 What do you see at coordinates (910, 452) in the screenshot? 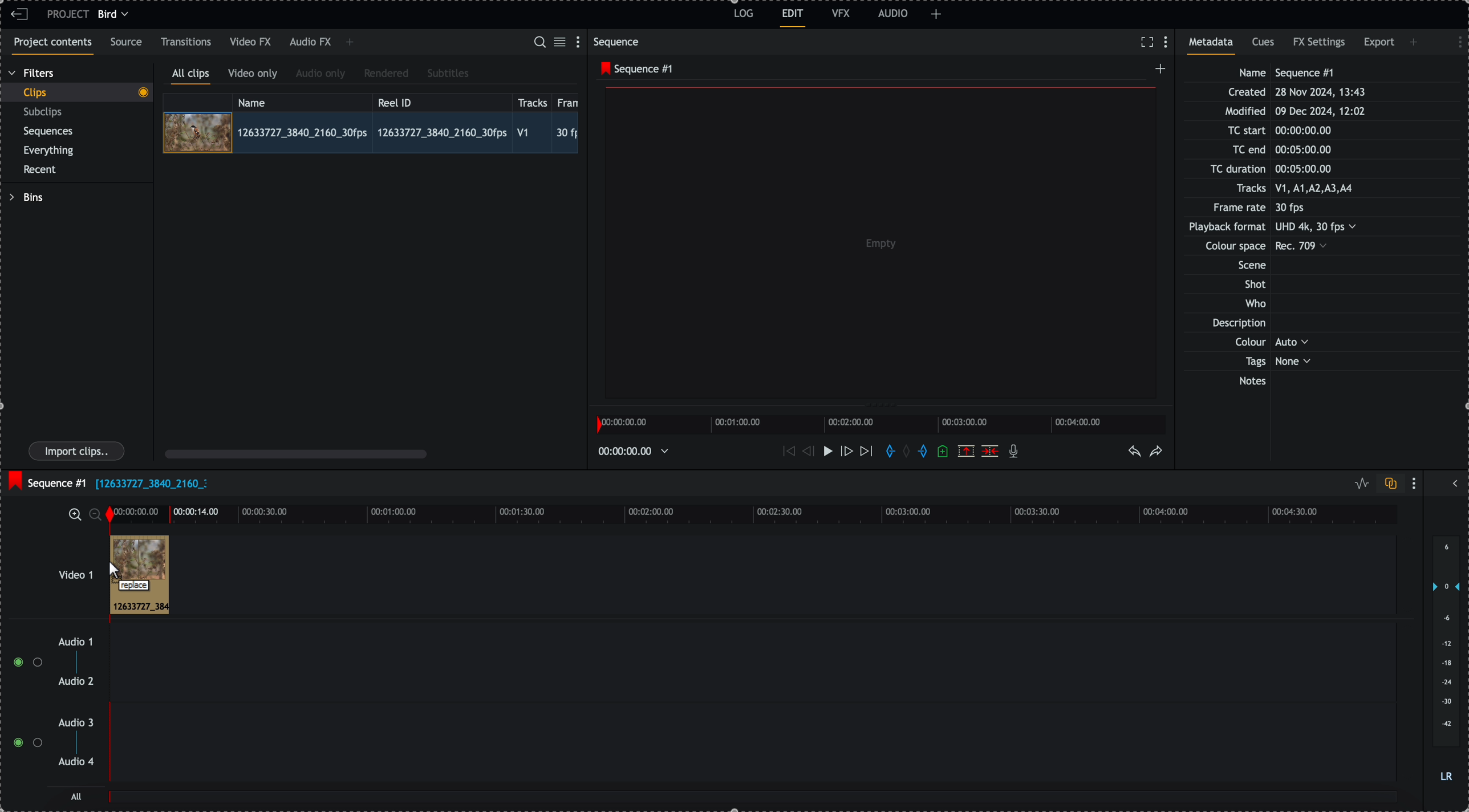
I see `clear marks` at bounding box center [910, 452].